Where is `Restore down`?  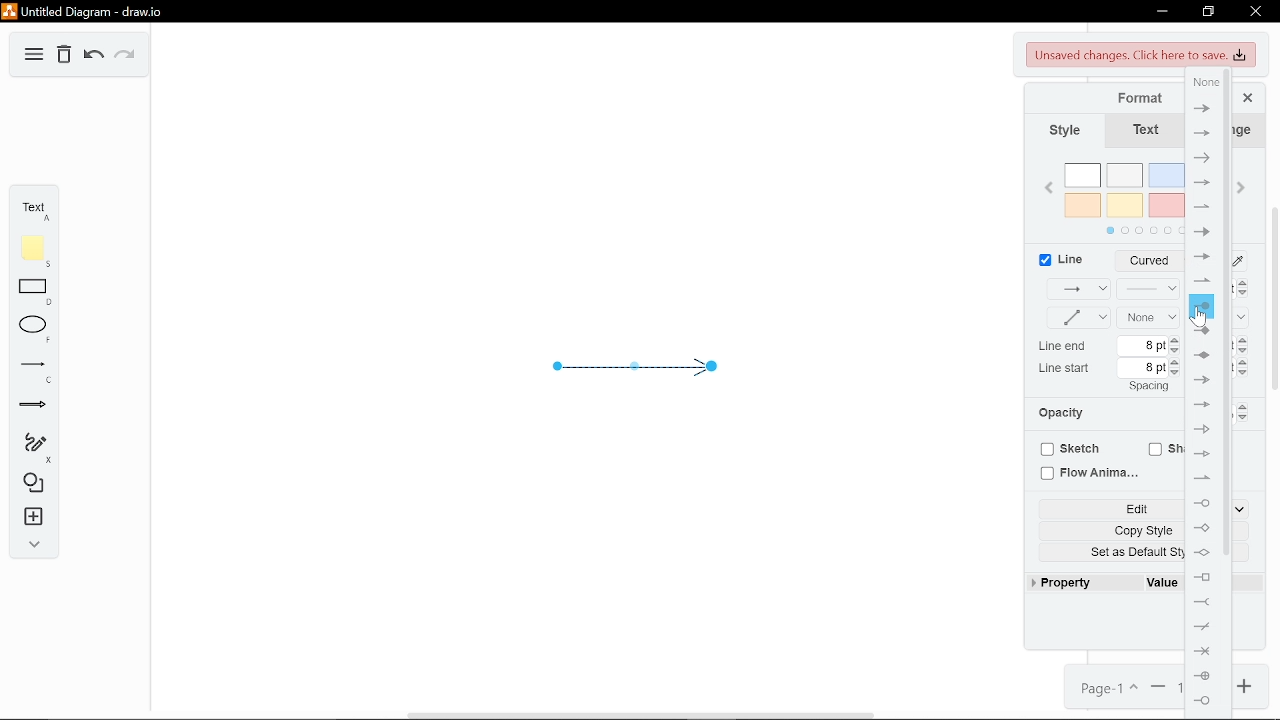 Restore down is located at coordinates (1211, 12).